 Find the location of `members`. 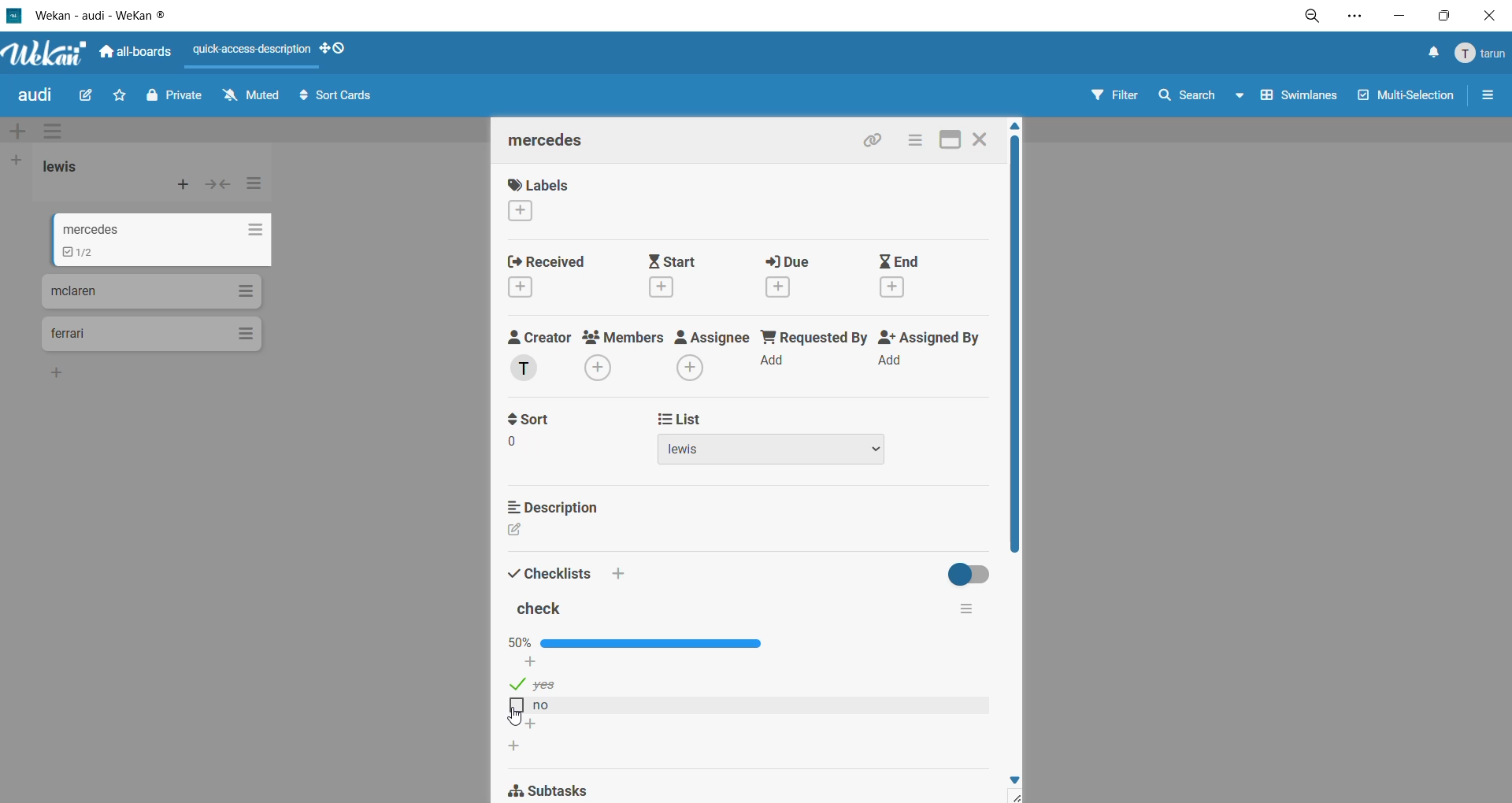

members is located at coordinates (622, 357).